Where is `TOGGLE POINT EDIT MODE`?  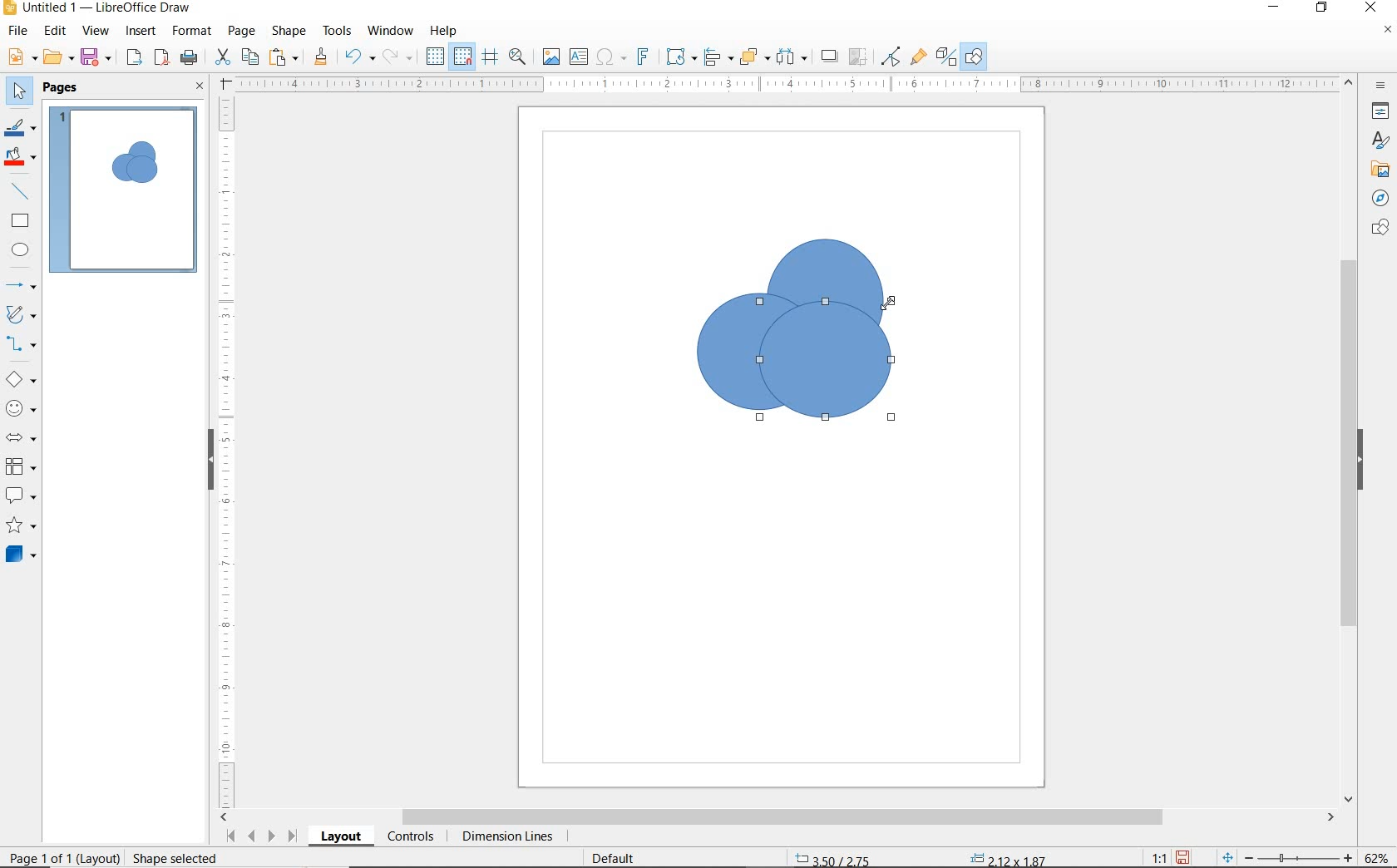
TOGGLE POINT EDIT MODE is located at coordinates (891, 57).